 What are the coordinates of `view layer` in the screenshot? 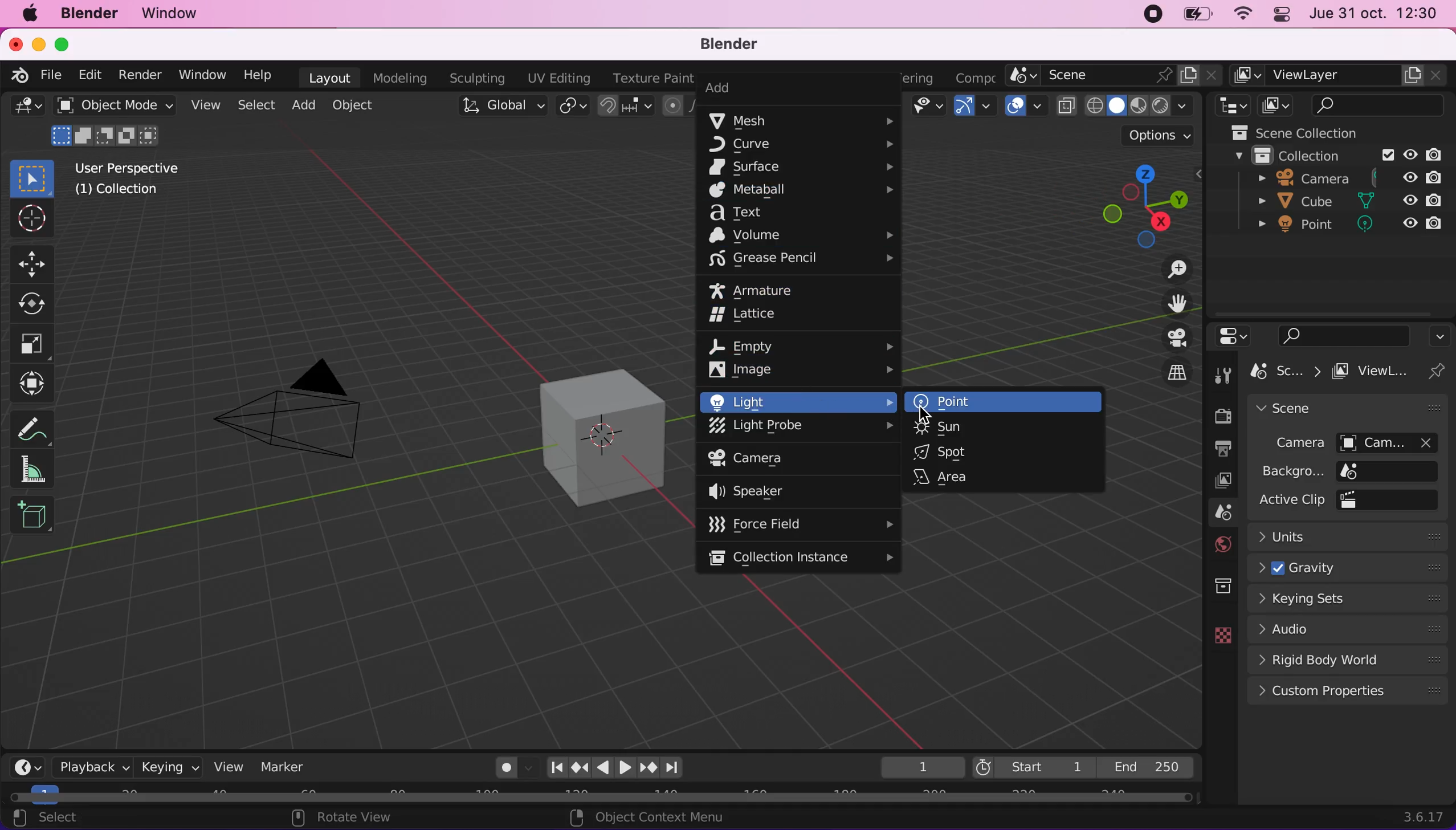 It's located at (1219, 482).